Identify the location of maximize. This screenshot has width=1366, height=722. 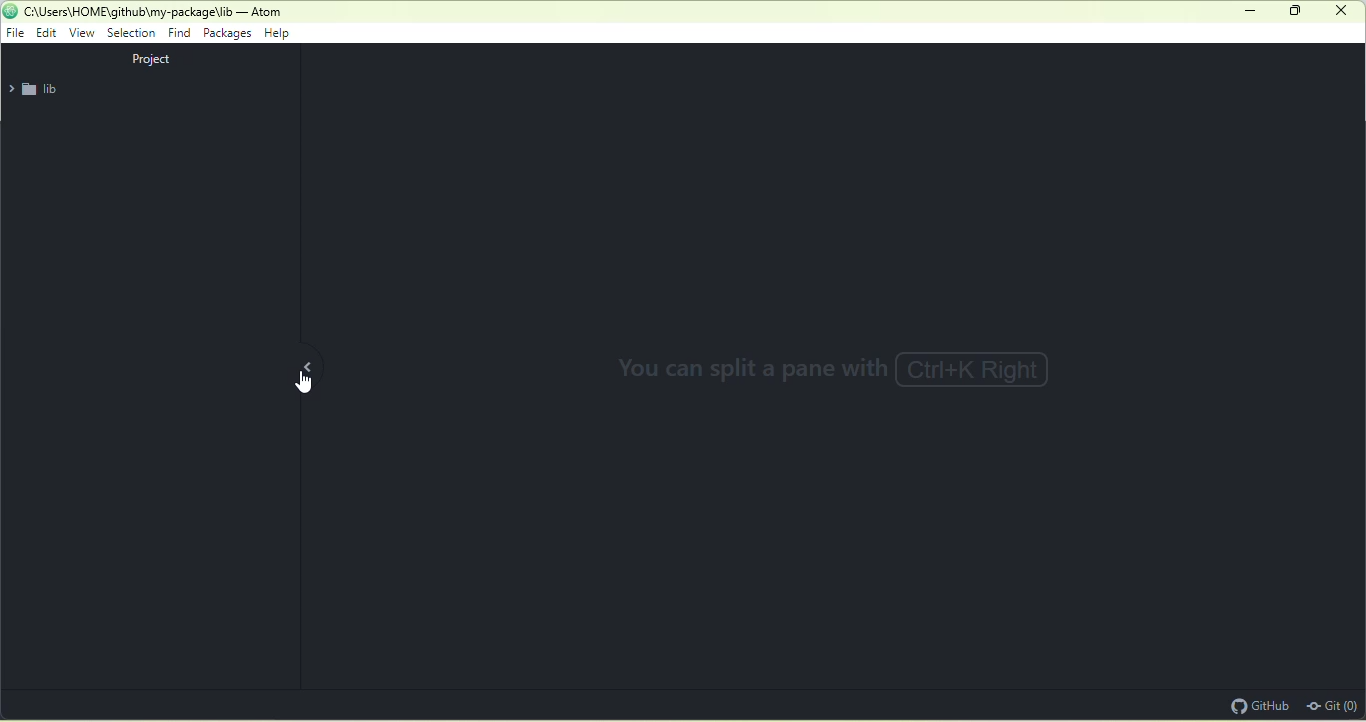
(1297, 14).